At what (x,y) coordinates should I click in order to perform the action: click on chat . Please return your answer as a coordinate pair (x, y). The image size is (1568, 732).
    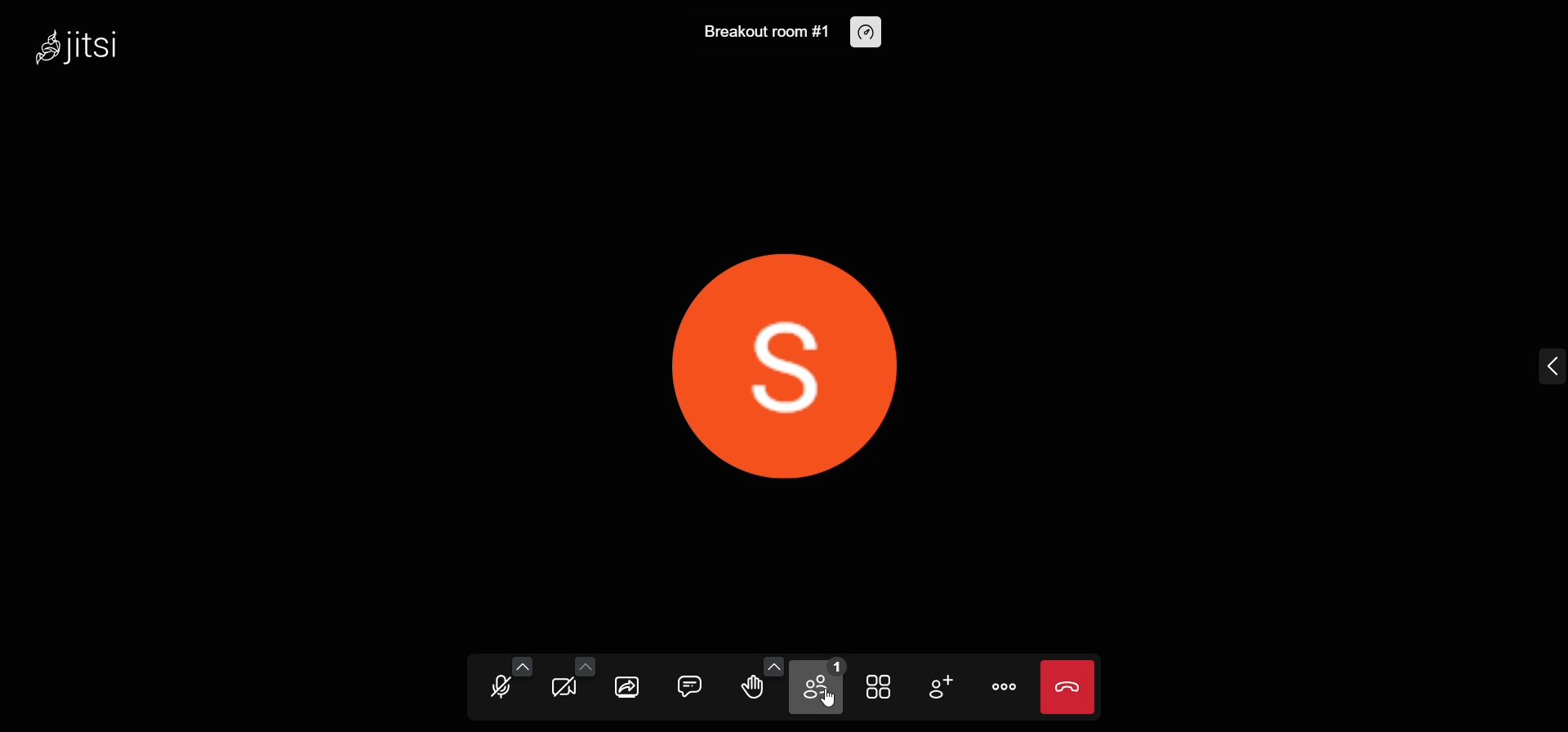
    Looking at the image, I should click on (686, 685).